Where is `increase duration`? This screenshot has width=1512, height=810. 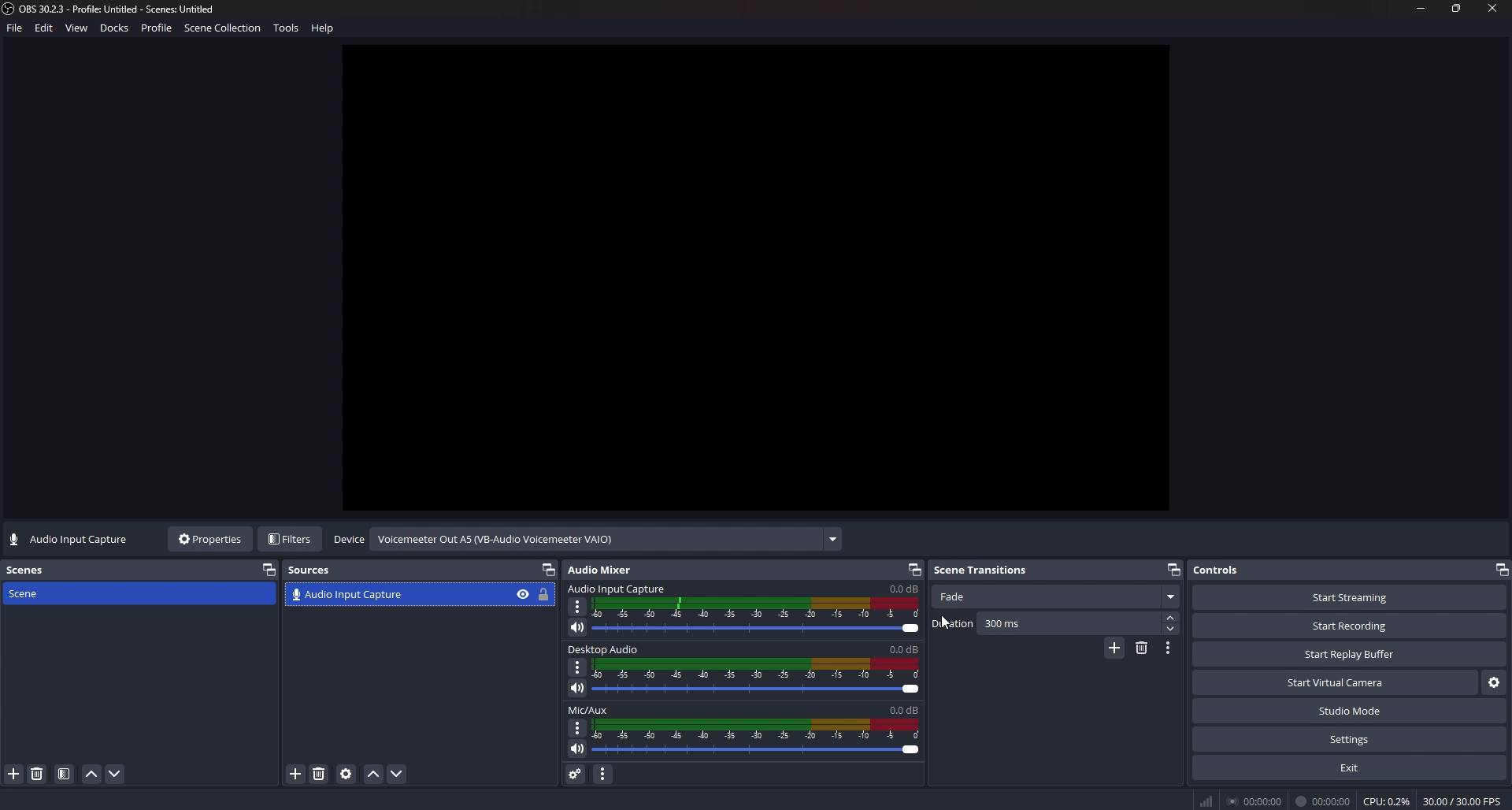
increase duration is located at coordinates (1173, 616).